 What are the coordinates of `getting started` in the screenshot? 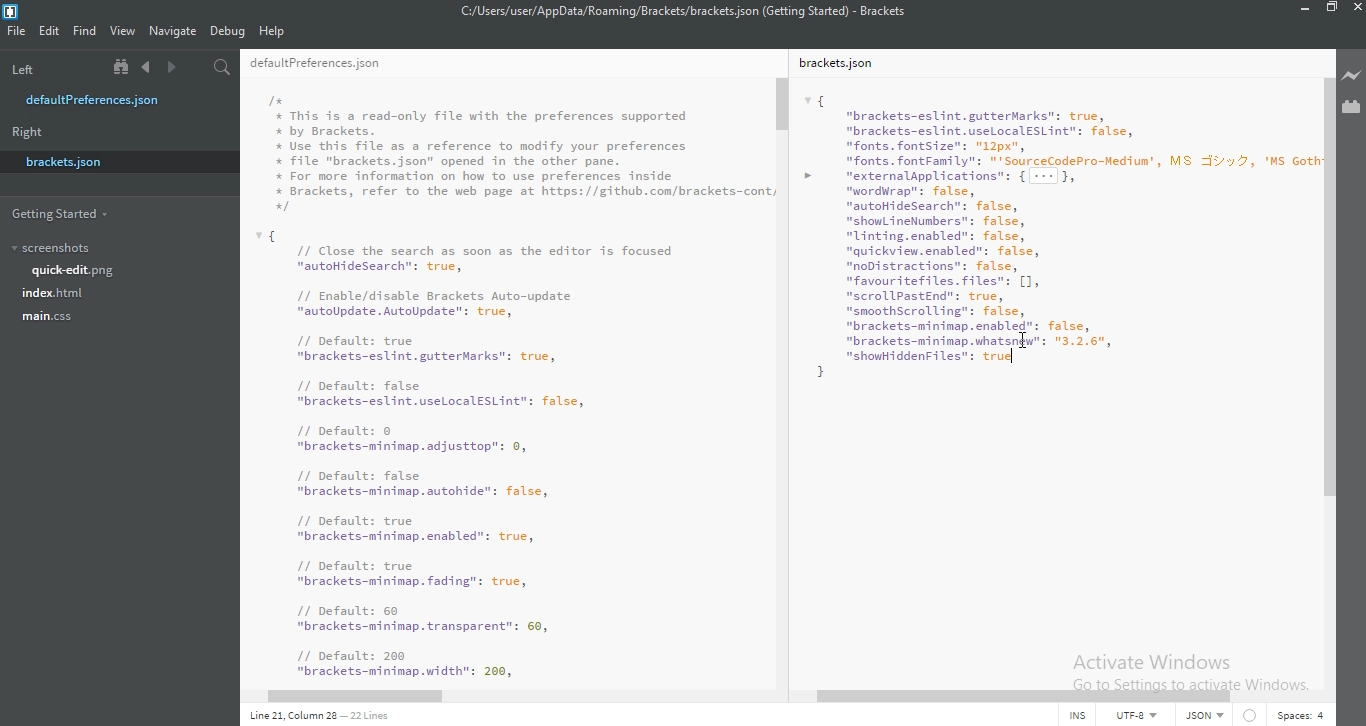 It's located at (62, 213).